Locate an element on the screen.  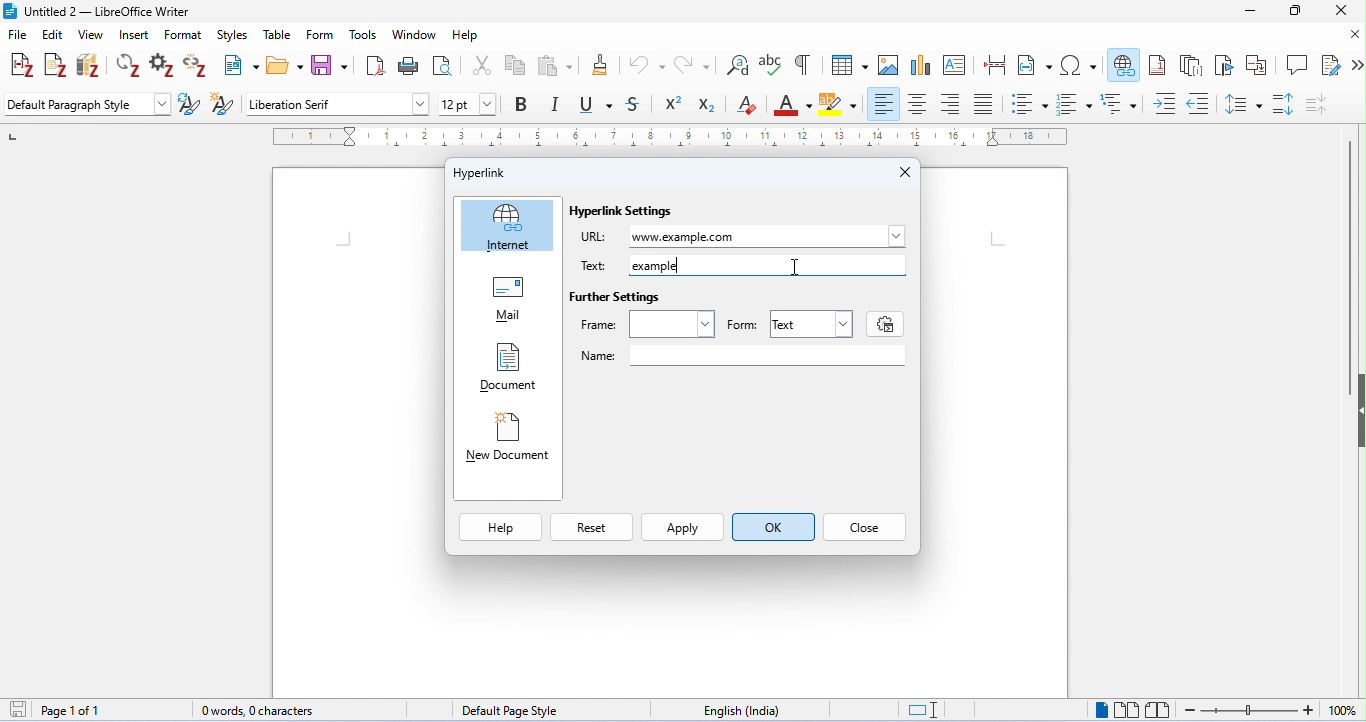
strikethrough is located at coordinates (634, 104).